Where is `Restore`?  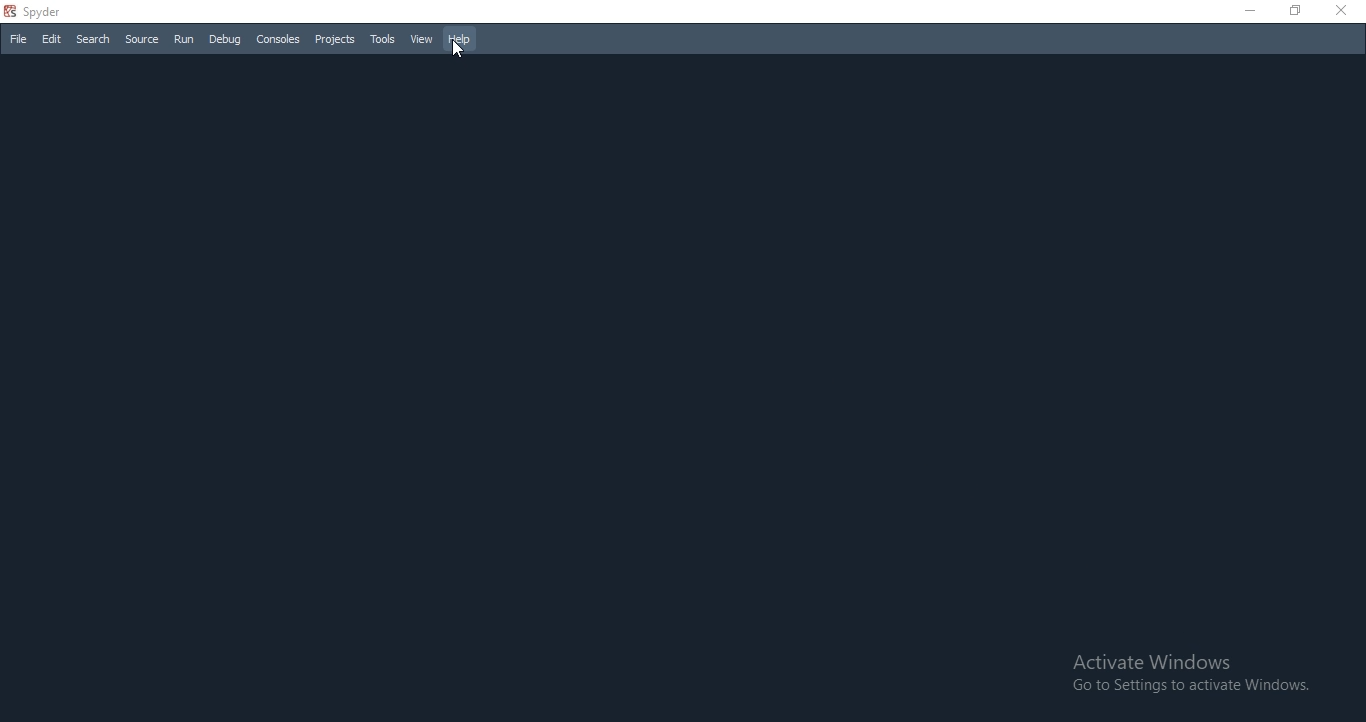 Restore is located at coordinates (1297, 12).